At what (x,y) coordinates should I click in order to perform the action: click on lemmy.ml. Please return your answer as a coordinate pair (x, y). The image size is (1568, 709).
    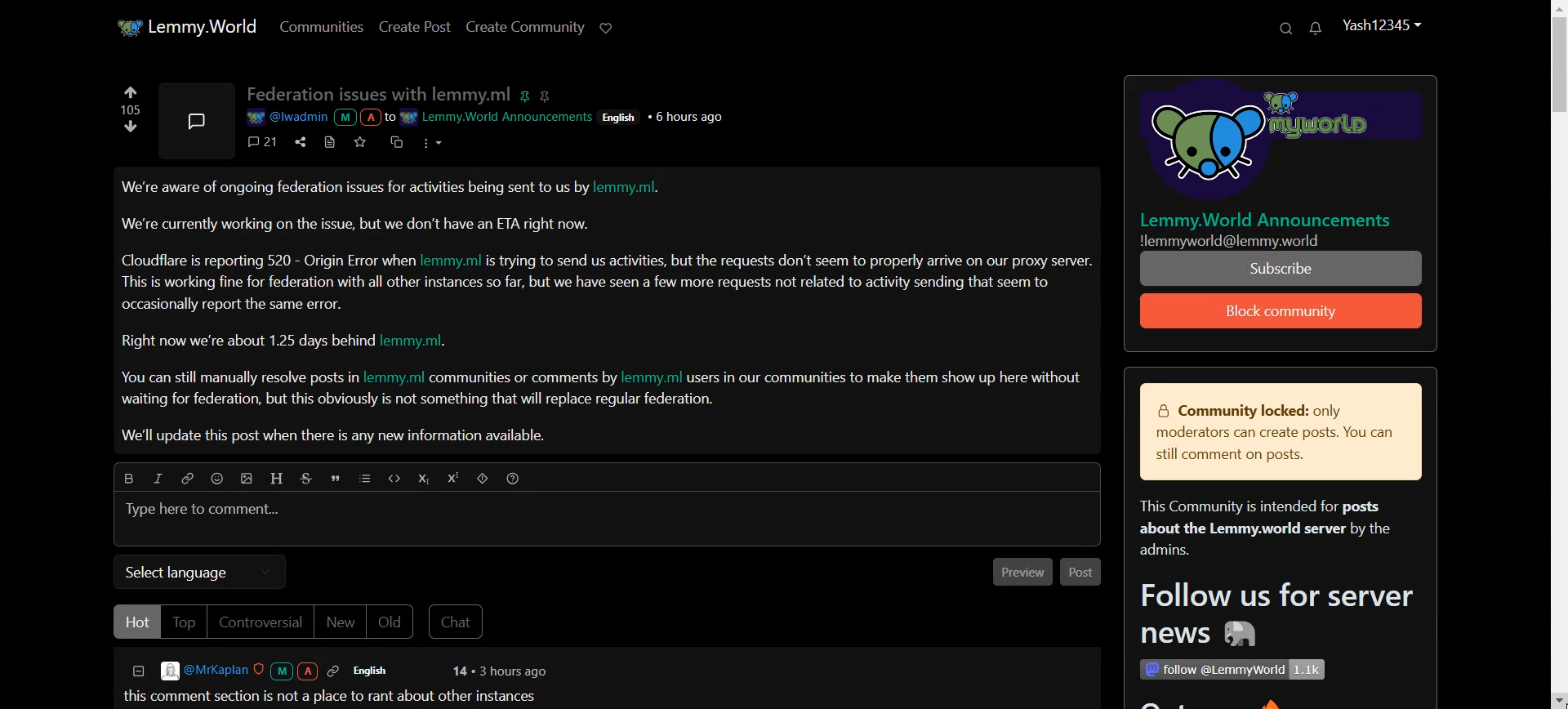
    Looking at the image, I should click on (651, 377).